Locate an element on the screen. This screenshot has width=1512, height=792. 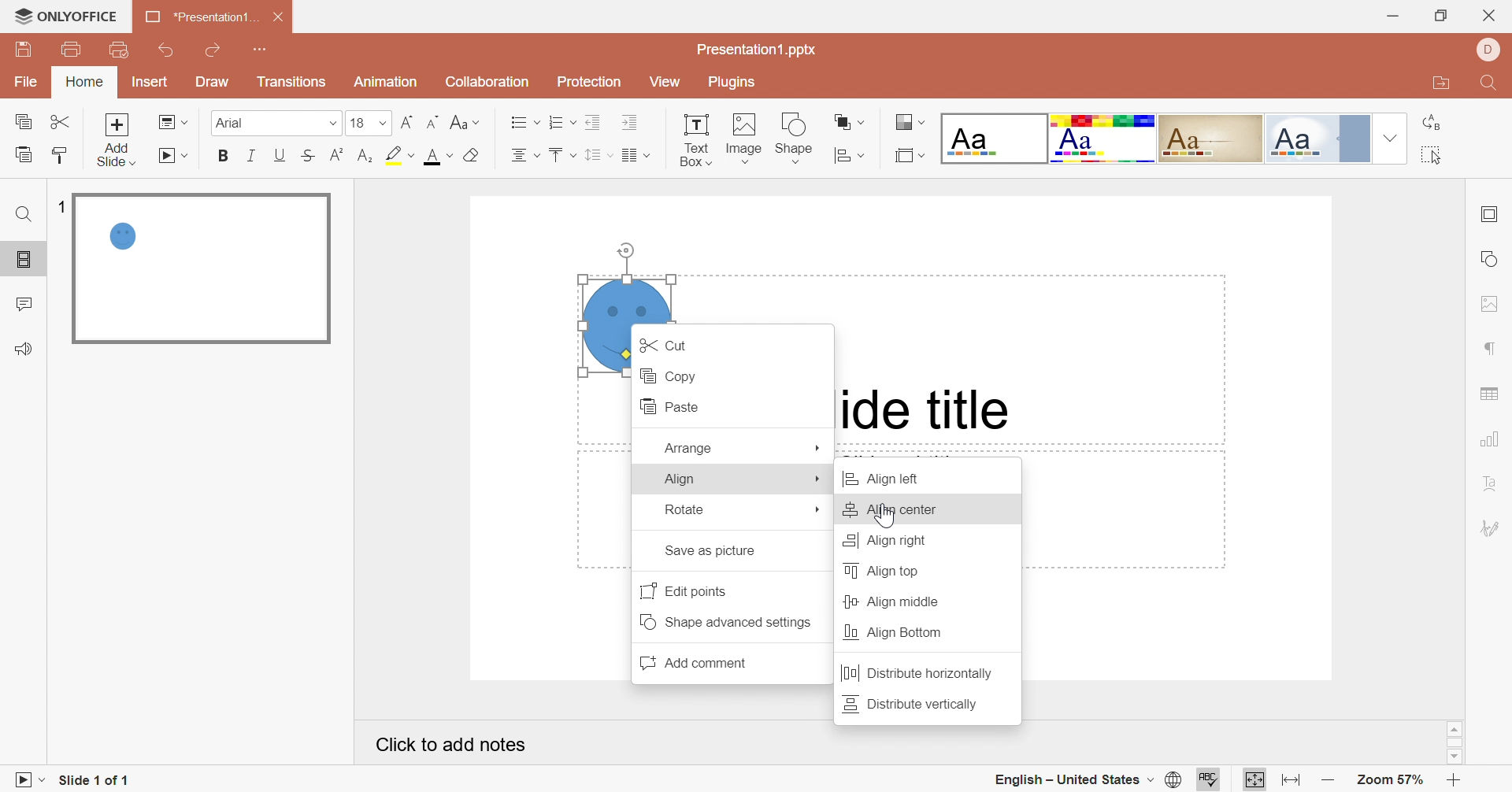
File is located at coordinates (30, 83).